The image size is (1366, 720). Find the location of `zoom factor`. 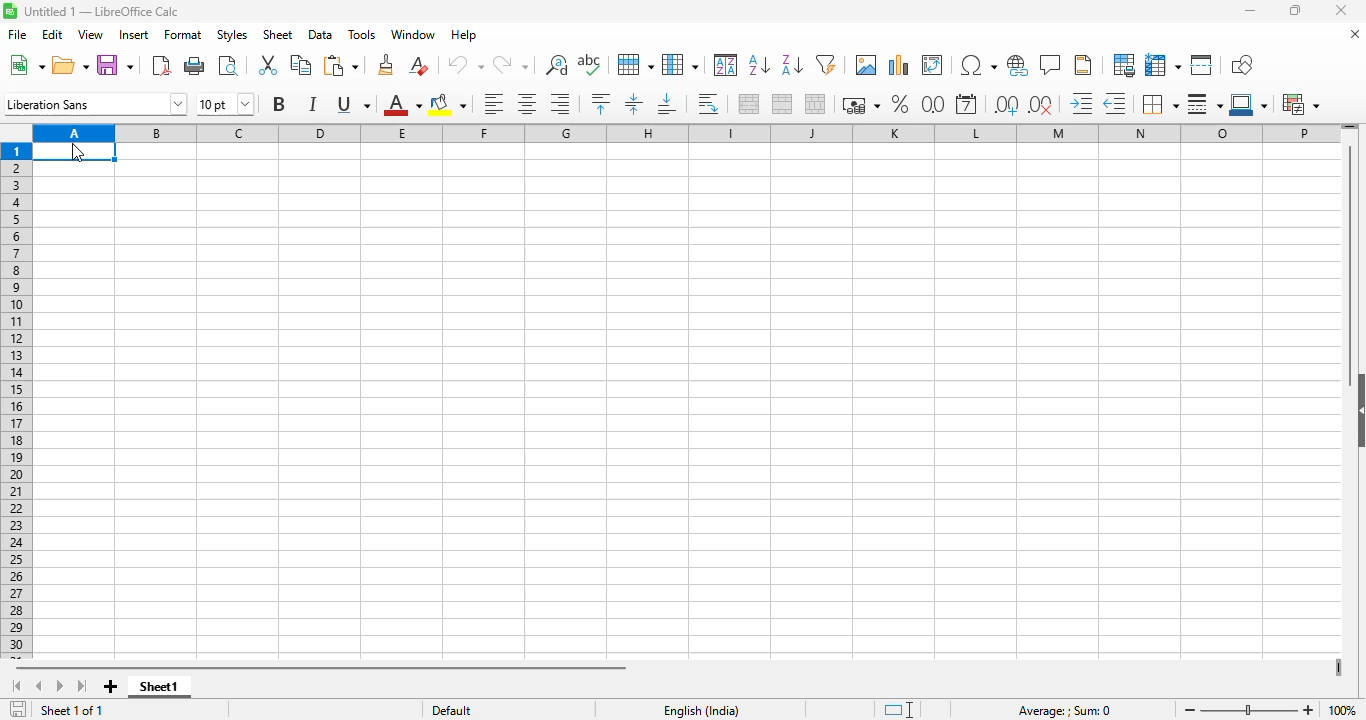

zoom factor is located at coordinates (1343, 710).